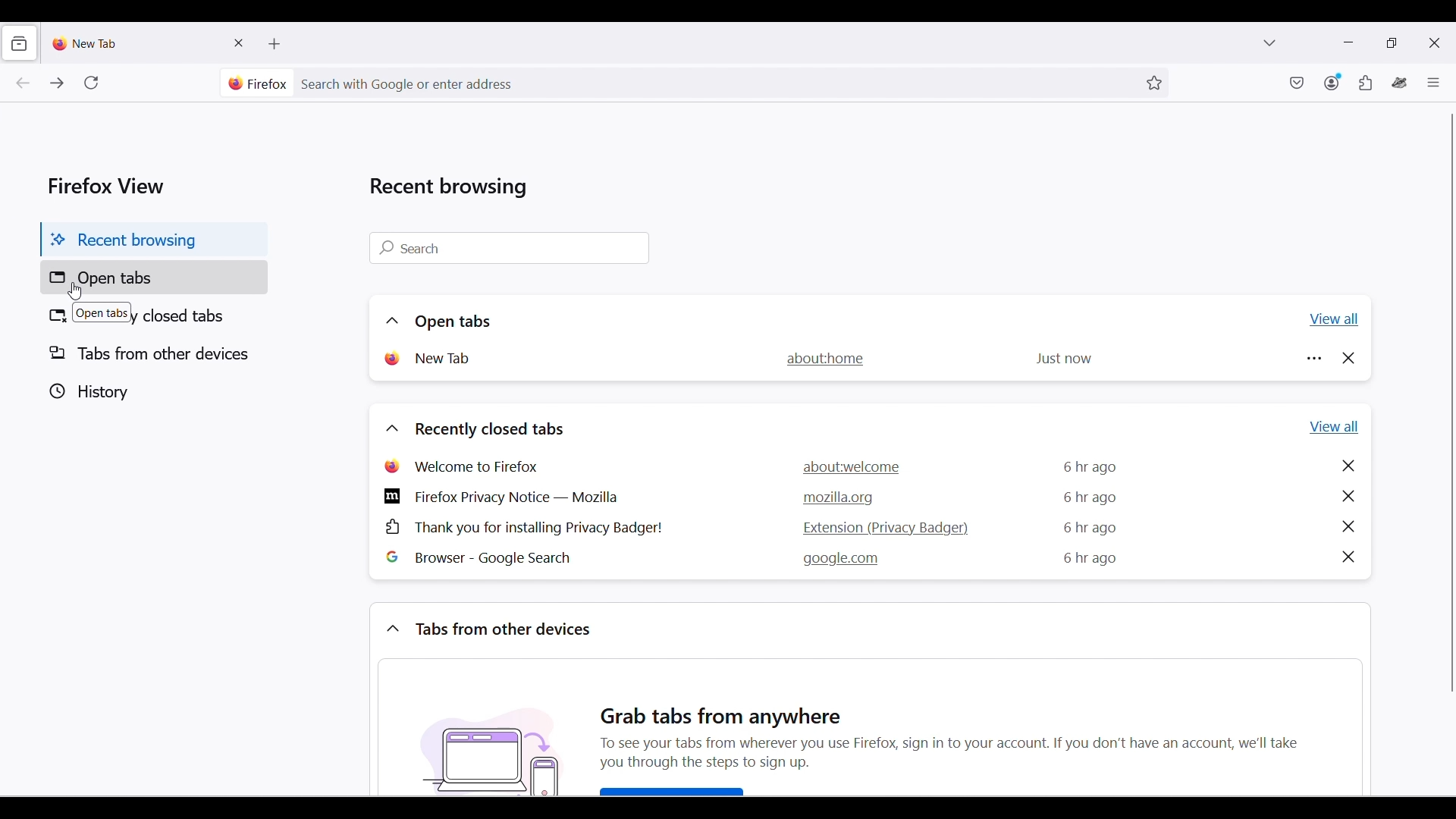  Describe the element at coordinates (501, 496) in the screenshot. I see `Firefox Privacy Notice — Mozilla` at that location.